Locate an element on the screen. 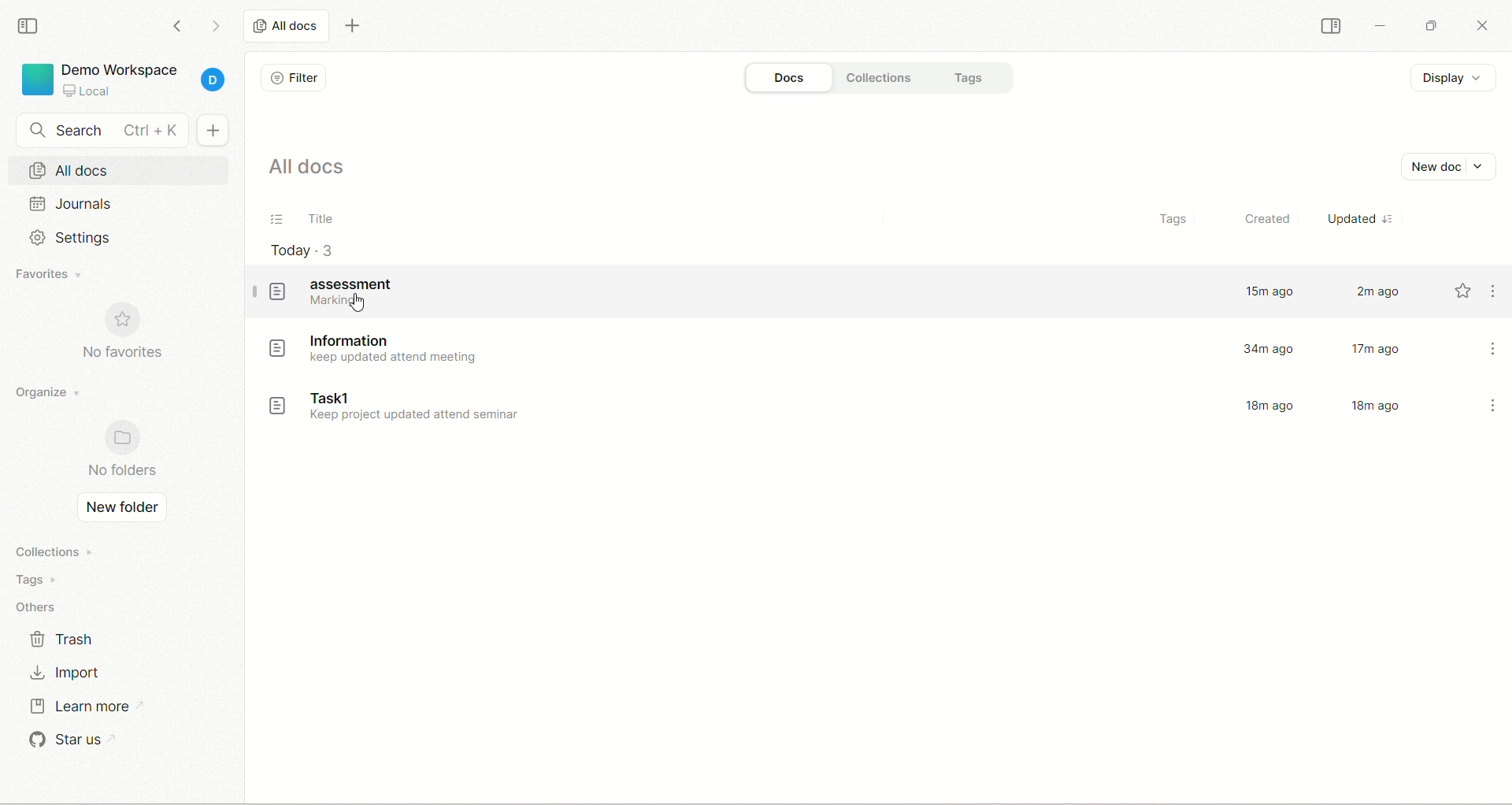 This screenshot has width=1512, height=805. collections is located at coordinates (50, 551).